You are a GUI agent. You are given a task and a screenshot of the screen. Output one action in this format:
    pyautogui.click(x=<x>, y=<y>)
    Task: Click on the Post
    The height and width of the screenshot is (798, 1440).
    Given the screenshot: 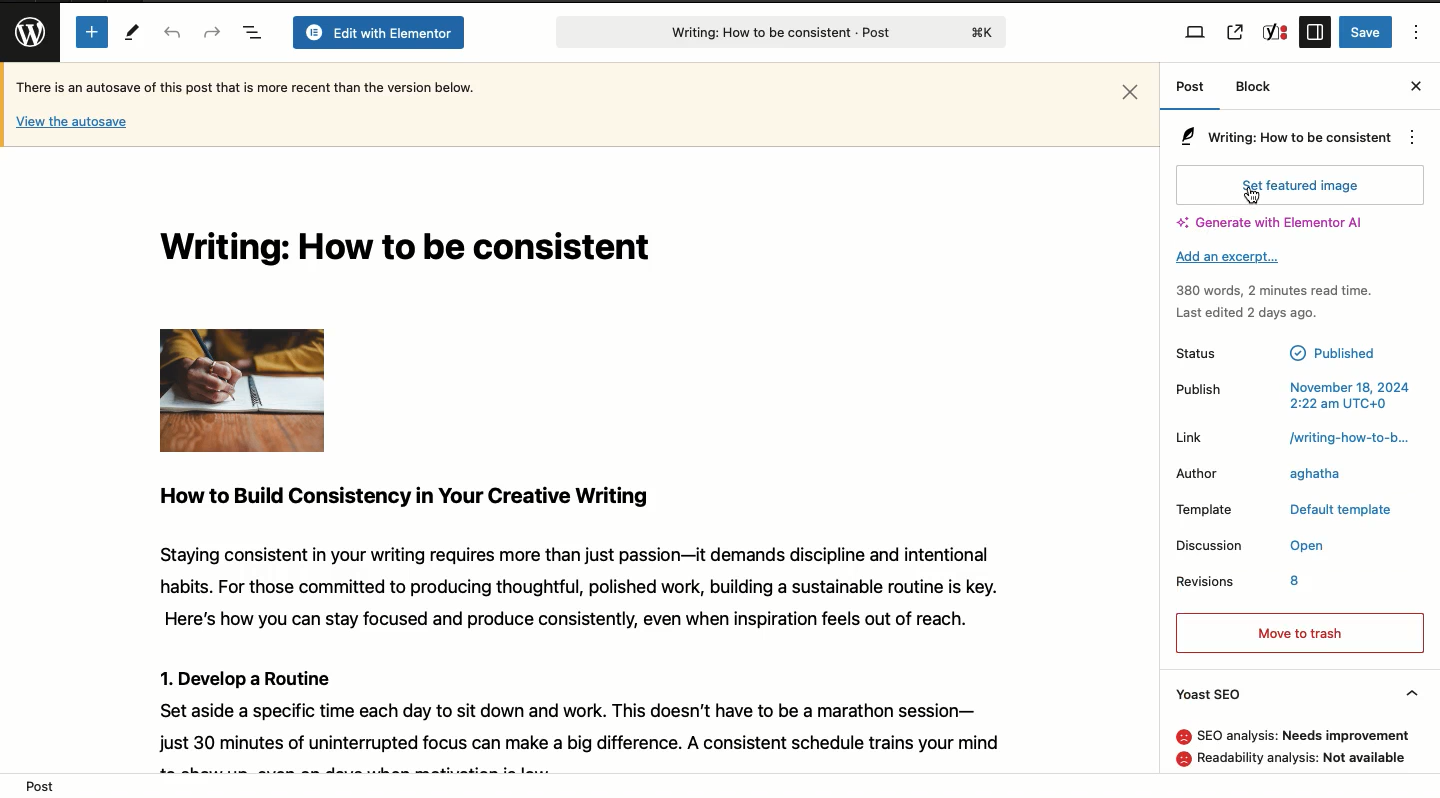 What is the action you would take?
    pyautogui.click(x=38, y=784)
    